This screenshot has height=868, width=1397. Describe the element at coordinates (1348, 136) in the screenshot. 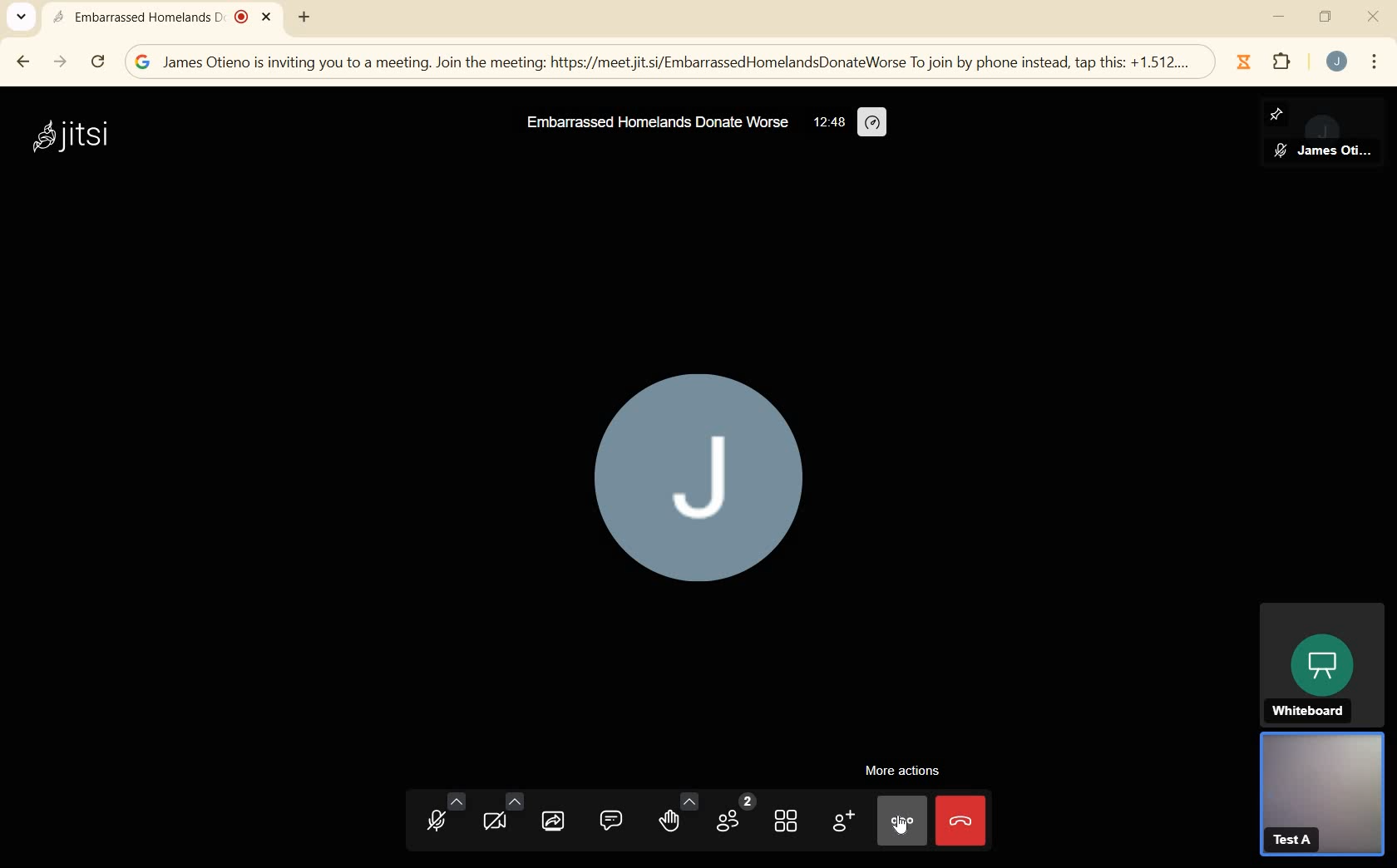

I see `MODERATOR PANEL VIEW` at that location.